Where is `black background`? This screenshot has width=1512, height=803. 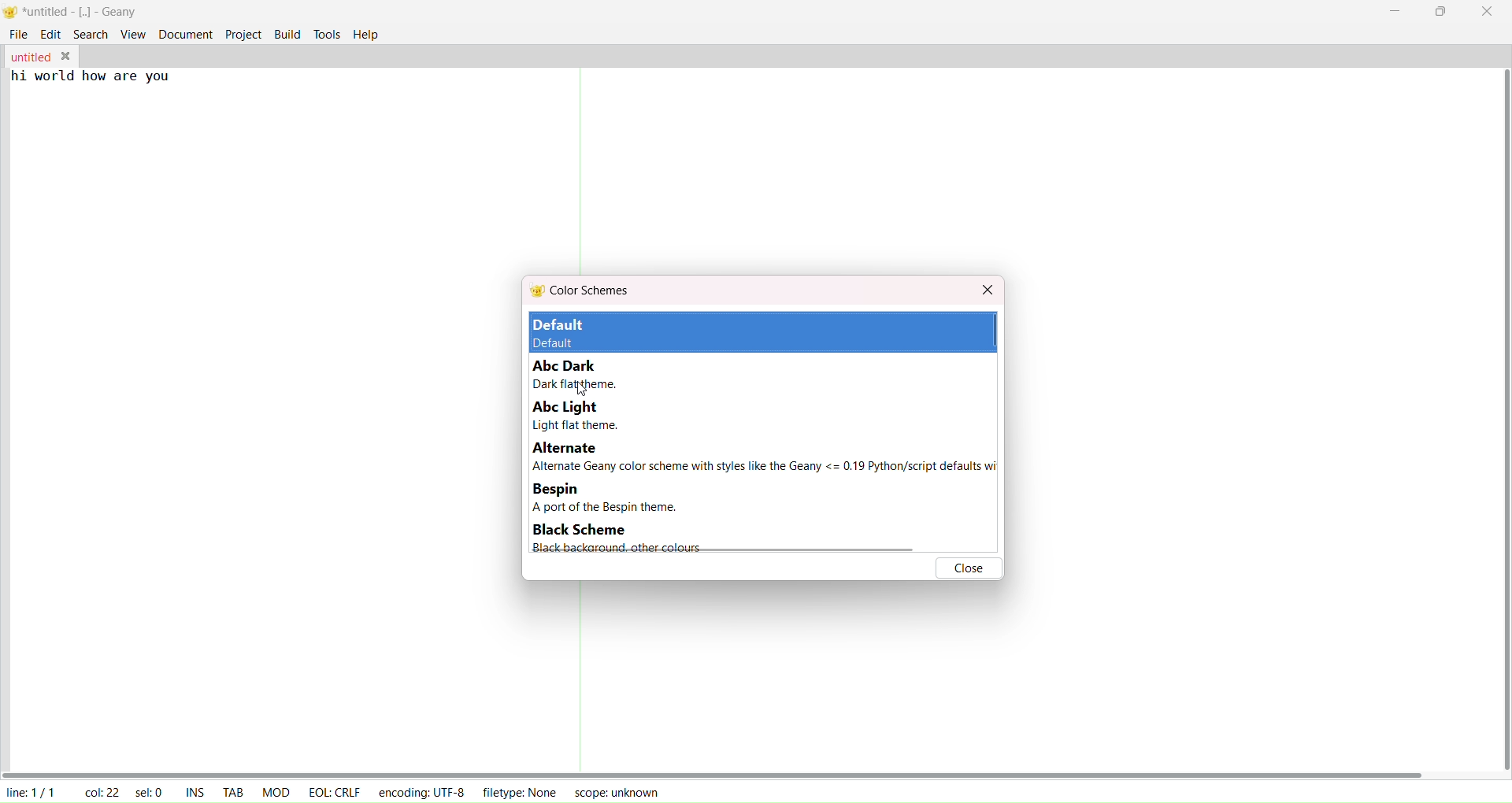
black background is located at coordinates (611, 548).